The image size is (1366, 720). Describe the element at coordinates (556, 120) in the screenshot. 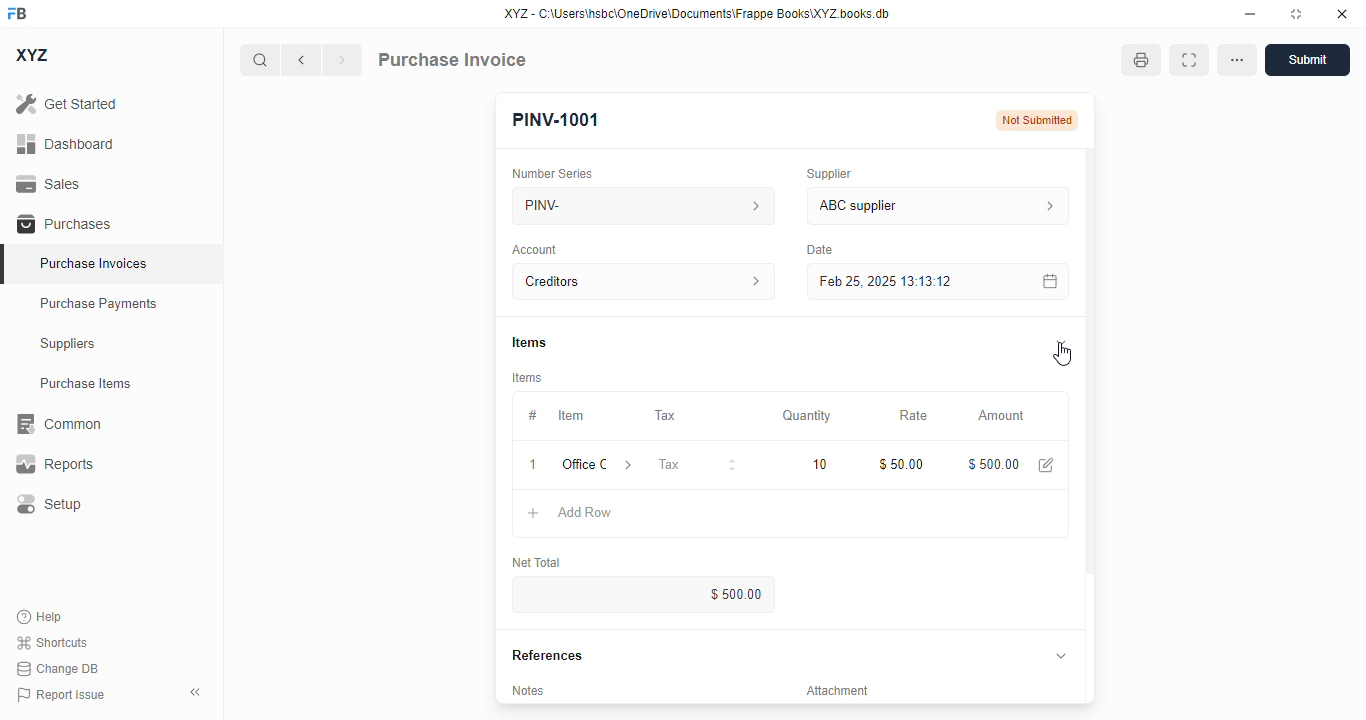

I see `PINV-1001` at that location.